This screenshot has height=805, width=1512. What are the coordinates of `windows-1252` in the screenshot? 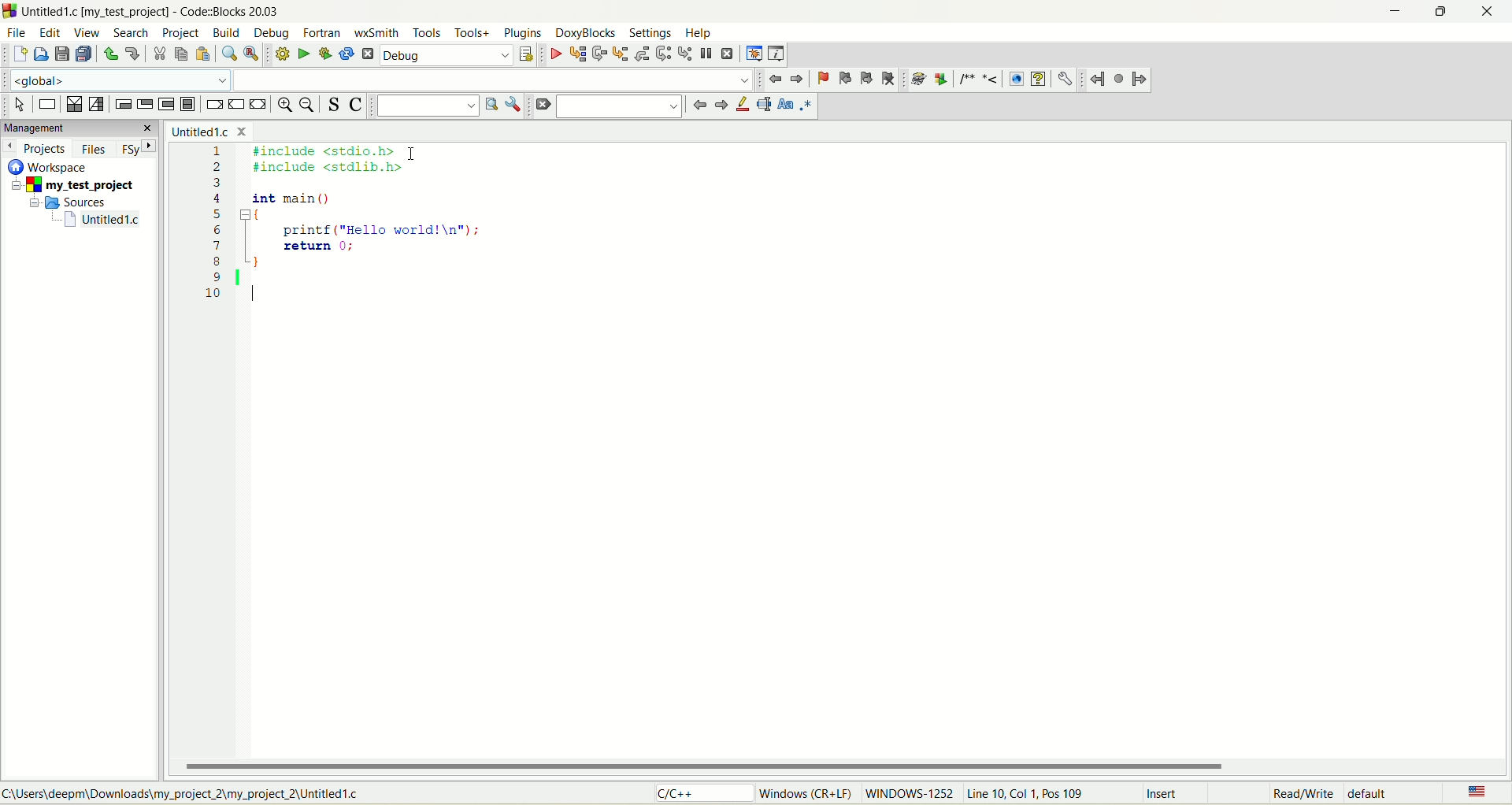 It's located at (910, 796).